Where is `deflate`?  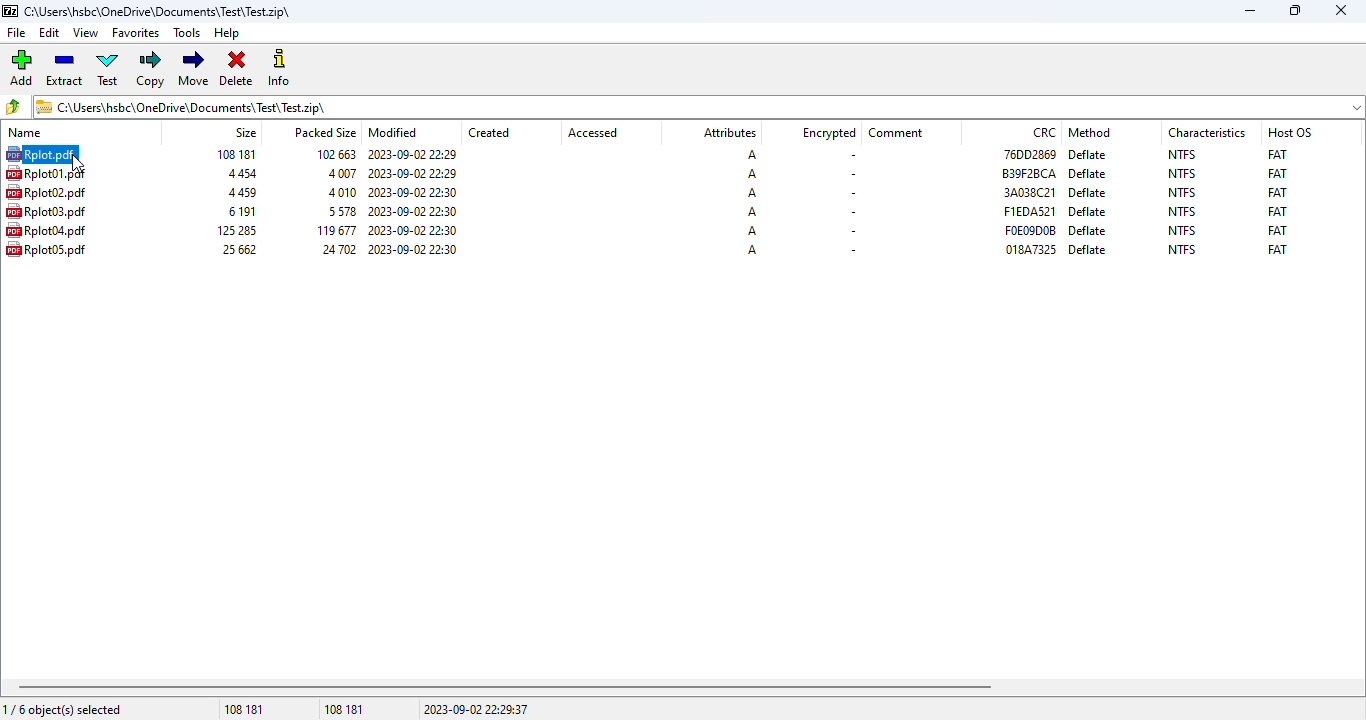
deflate is located at coordinates (1088, 192).